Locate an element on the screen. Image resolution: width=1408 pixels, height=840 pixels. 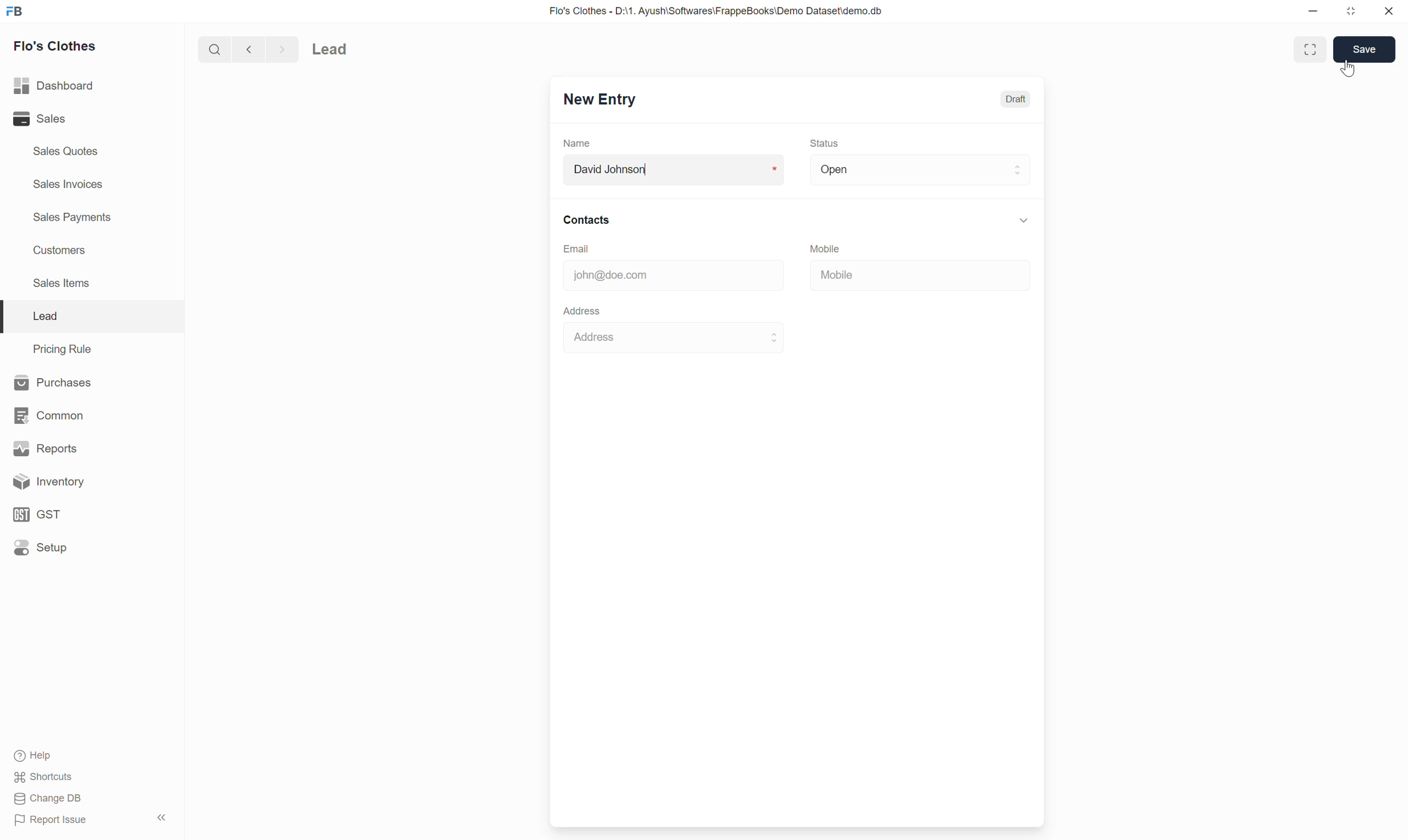
Customers is located at coordinates (66, 251).